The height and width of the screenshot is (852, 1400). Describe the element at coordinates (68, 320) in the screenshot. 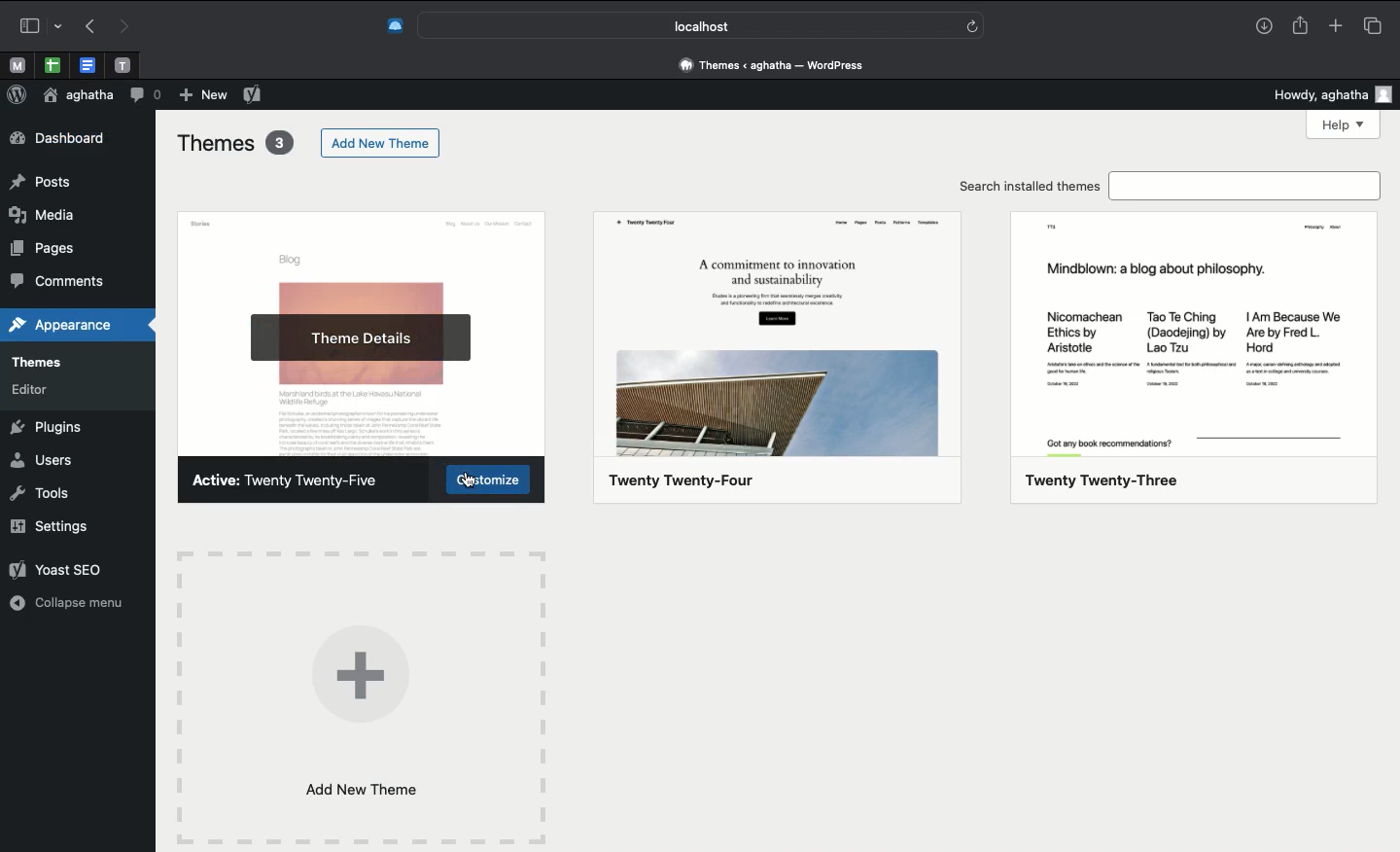

I see `appearance` at that location.